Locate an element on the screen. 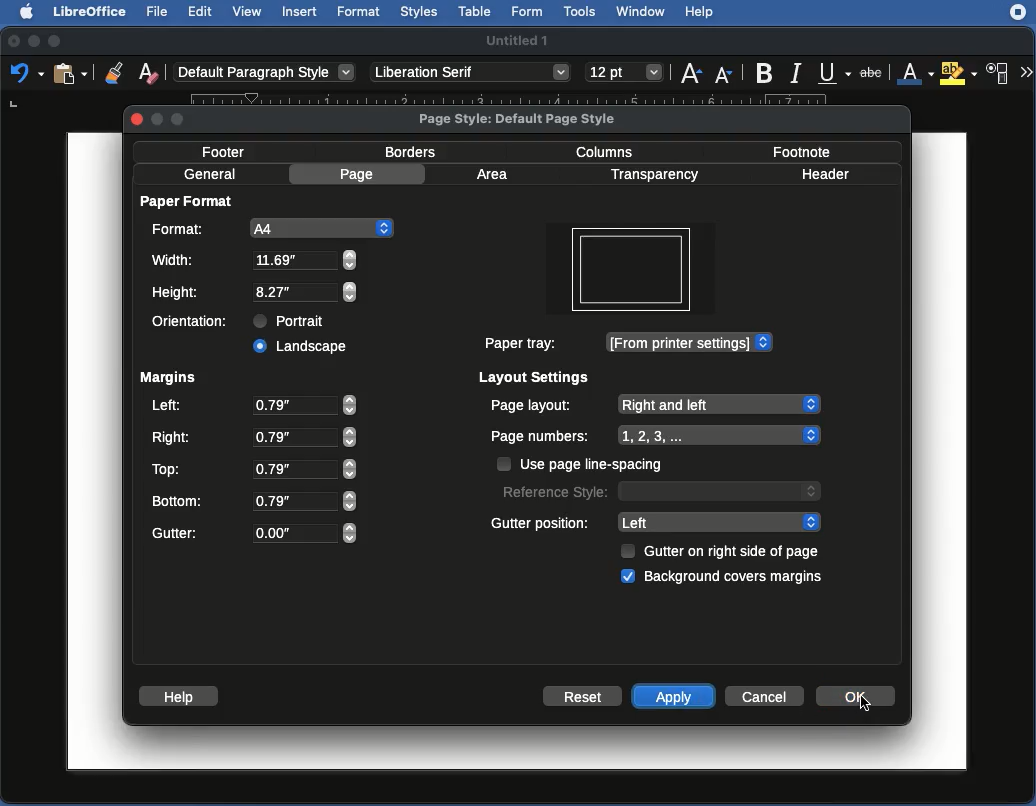  0.79" is located at coordinates (304, 405).